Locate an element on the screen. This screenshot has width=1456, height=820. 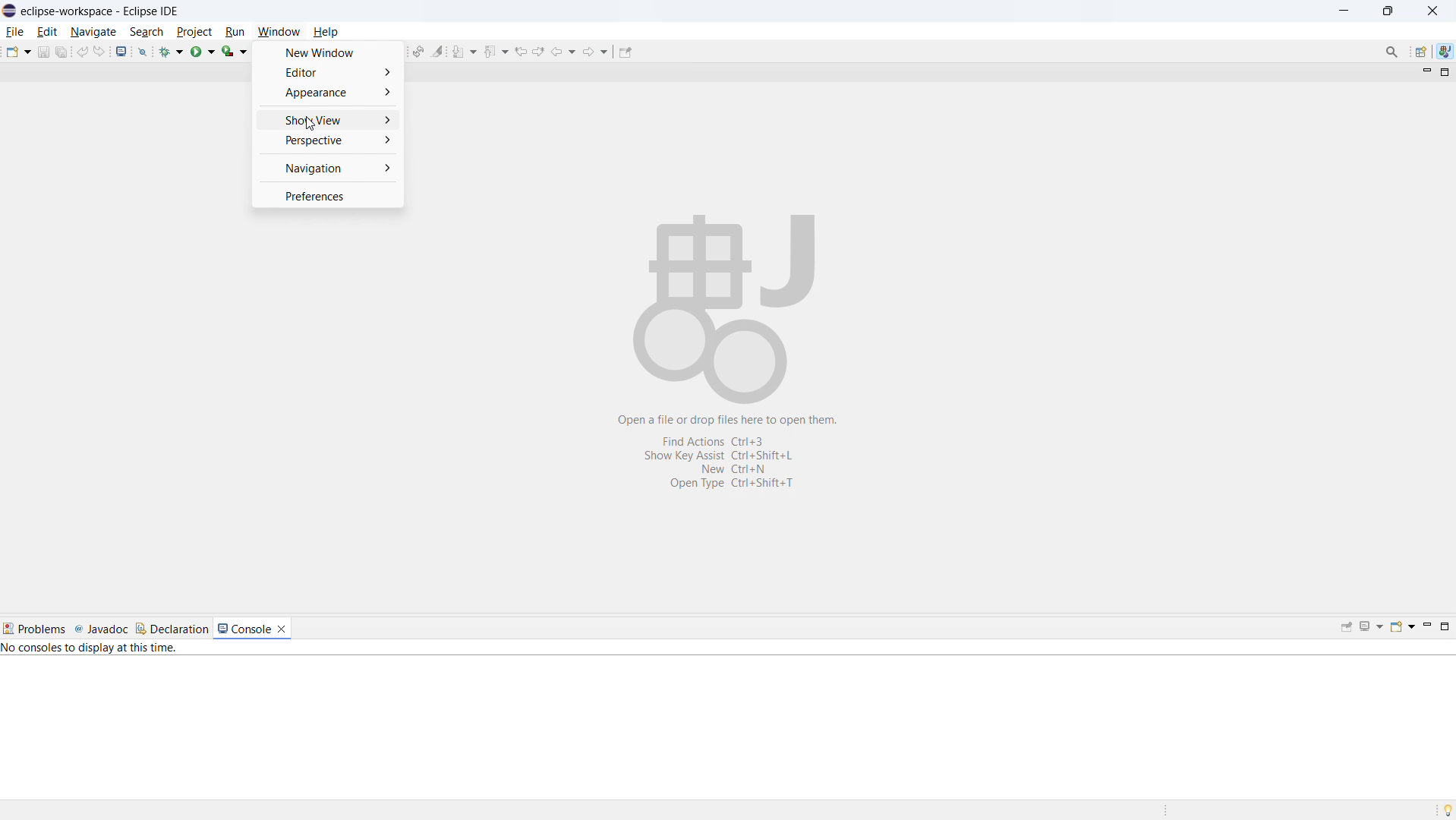
run is located at coordinates (235, 30).